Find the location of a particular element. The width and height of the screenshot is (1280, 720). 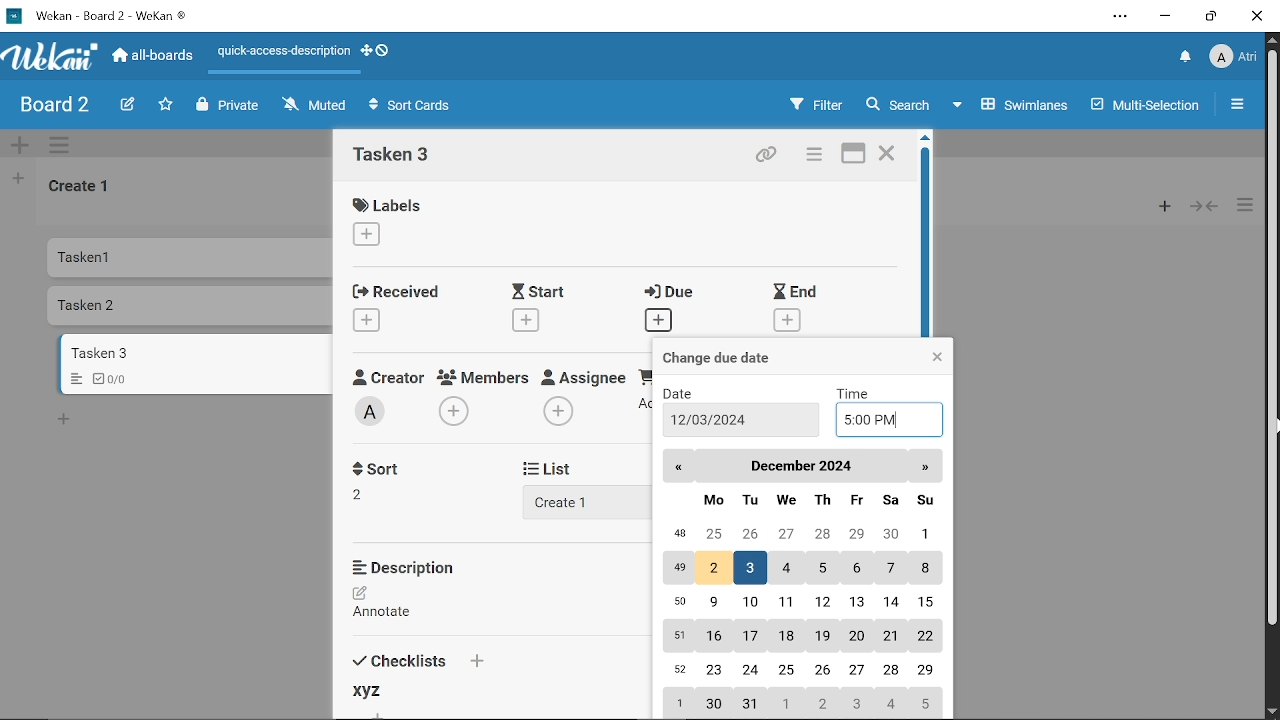

Change due date is located at coordinates (735, 357).